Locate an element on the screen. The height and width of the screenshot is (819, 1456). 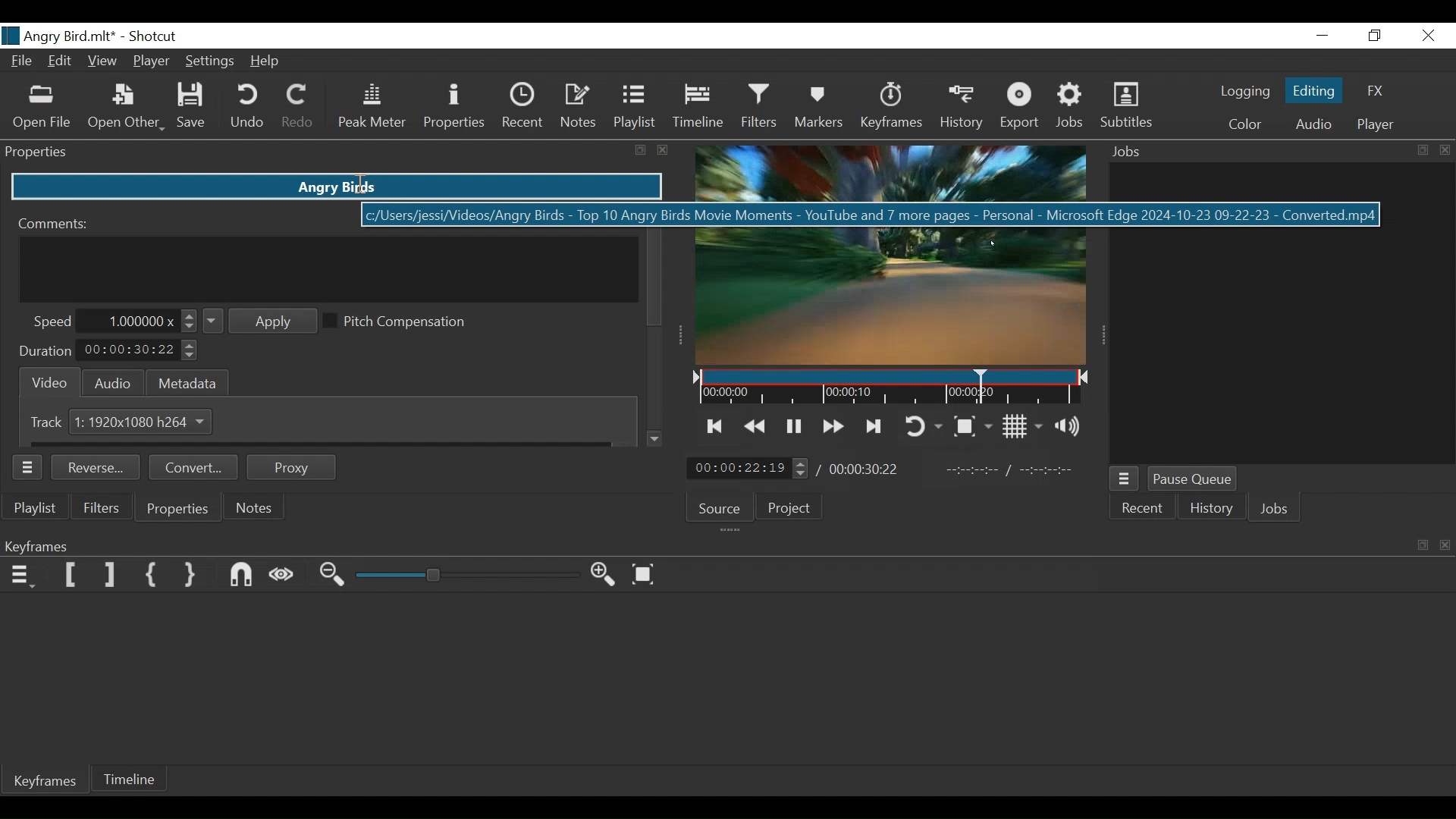
Zoom keyframe to fit is located at coordinates (647, 575).